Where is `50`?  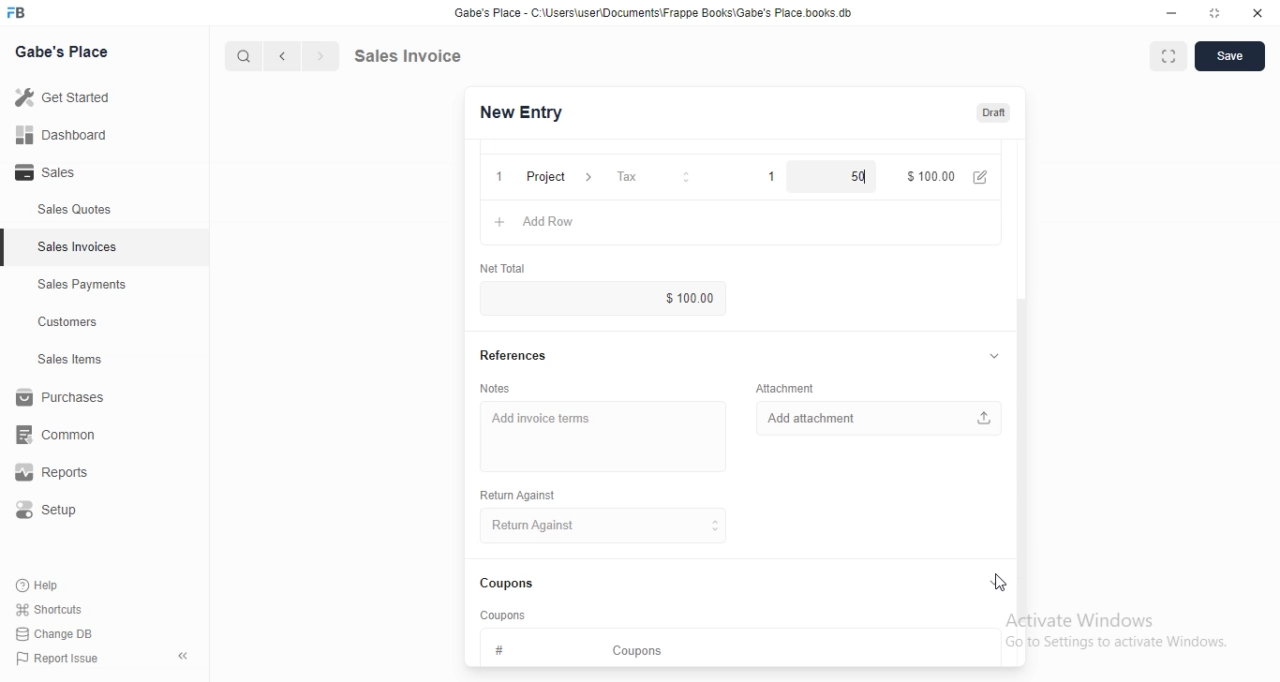 50 is located at coordinates (839, 175).